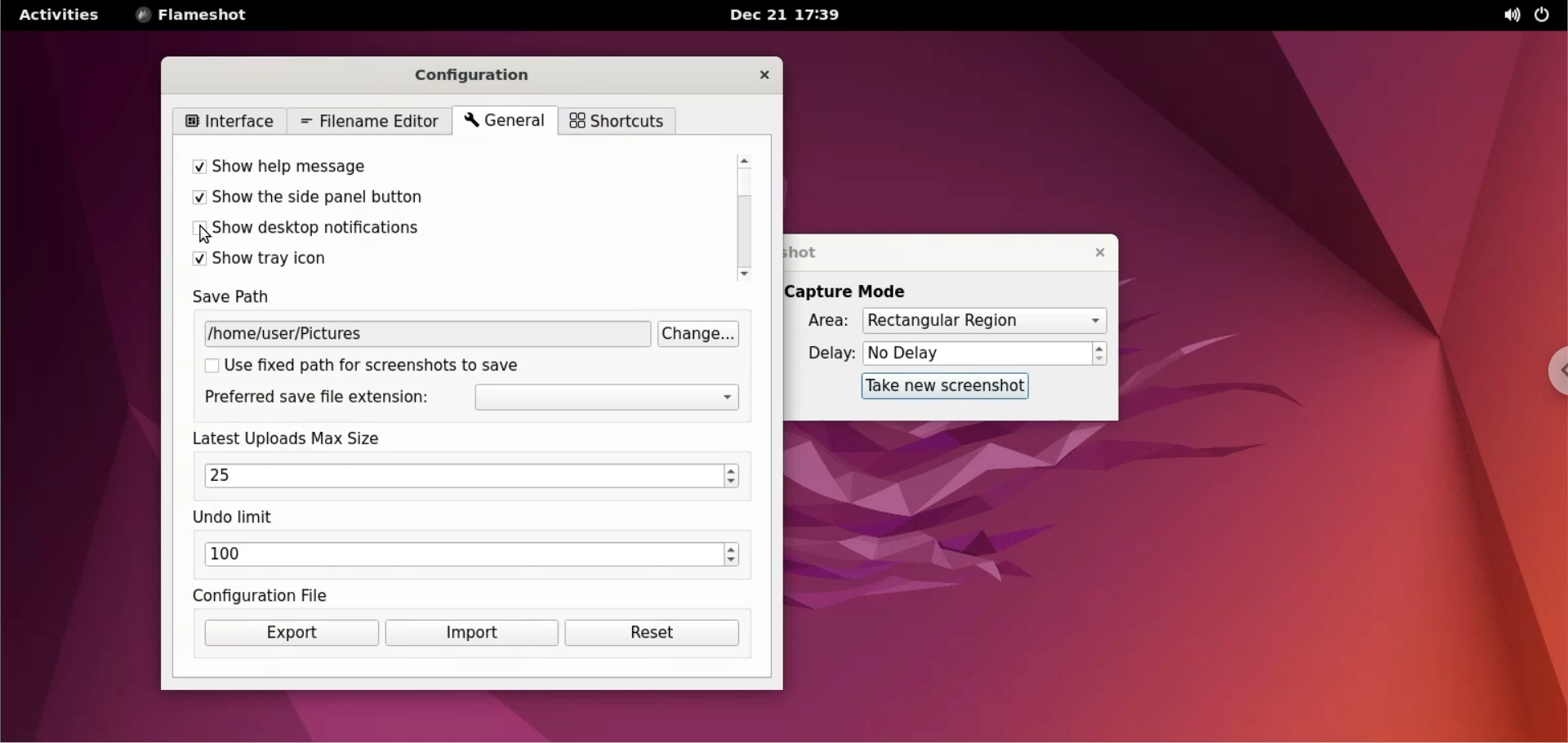  Describe the element at coordinates (984, 320) in the screenshot. I see `capture area types dropdown` at that location.